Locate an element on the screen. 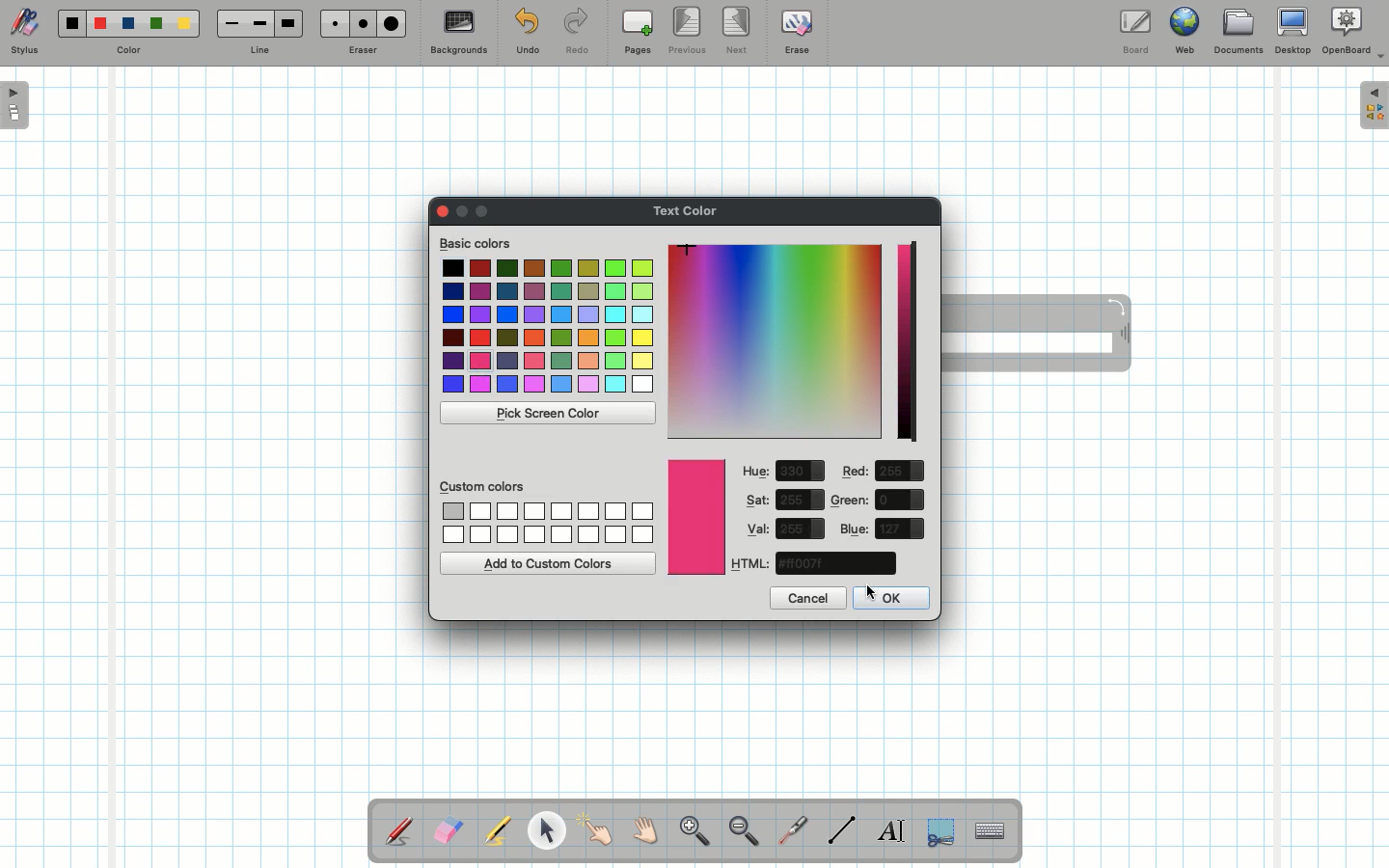  Documents is located at coordinates (1238, 34).